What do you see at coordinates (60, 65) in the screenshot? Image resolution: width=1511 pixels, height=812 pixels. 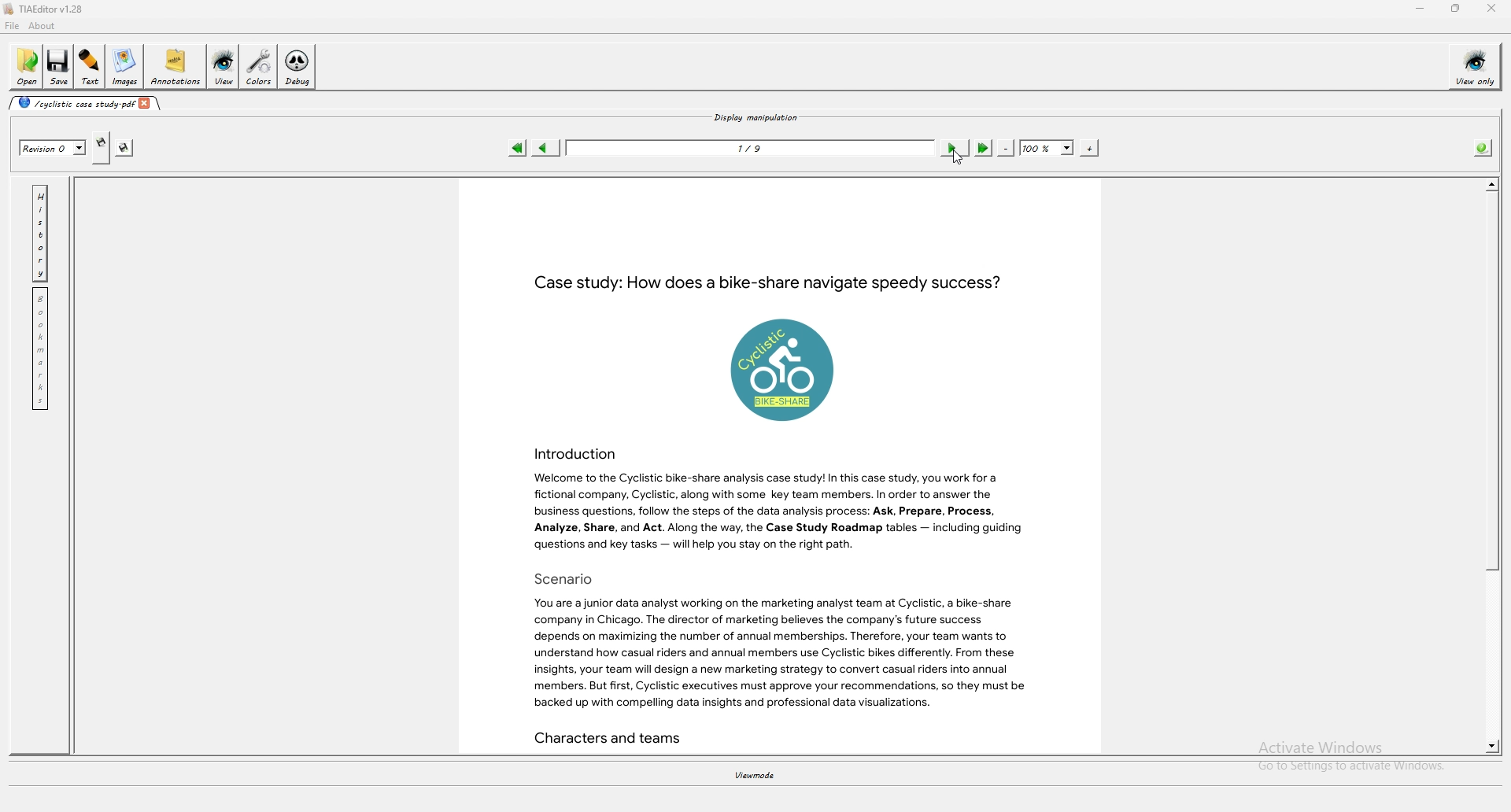 I see `save` at bounding box center [60, 65].